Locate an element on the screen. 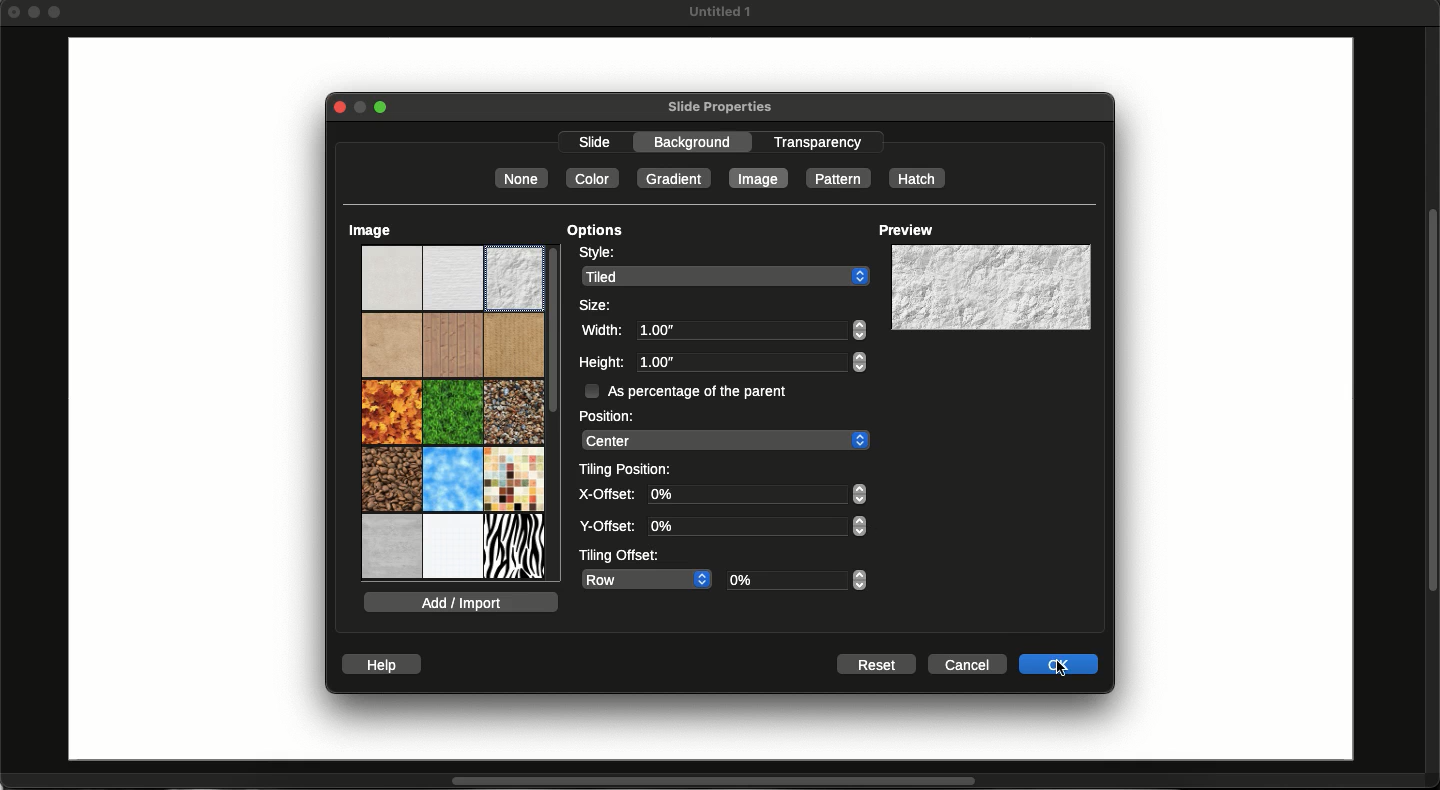 The width and height of the screenshot is (1440, 790). Pattern is located at coordinates (836, 178).